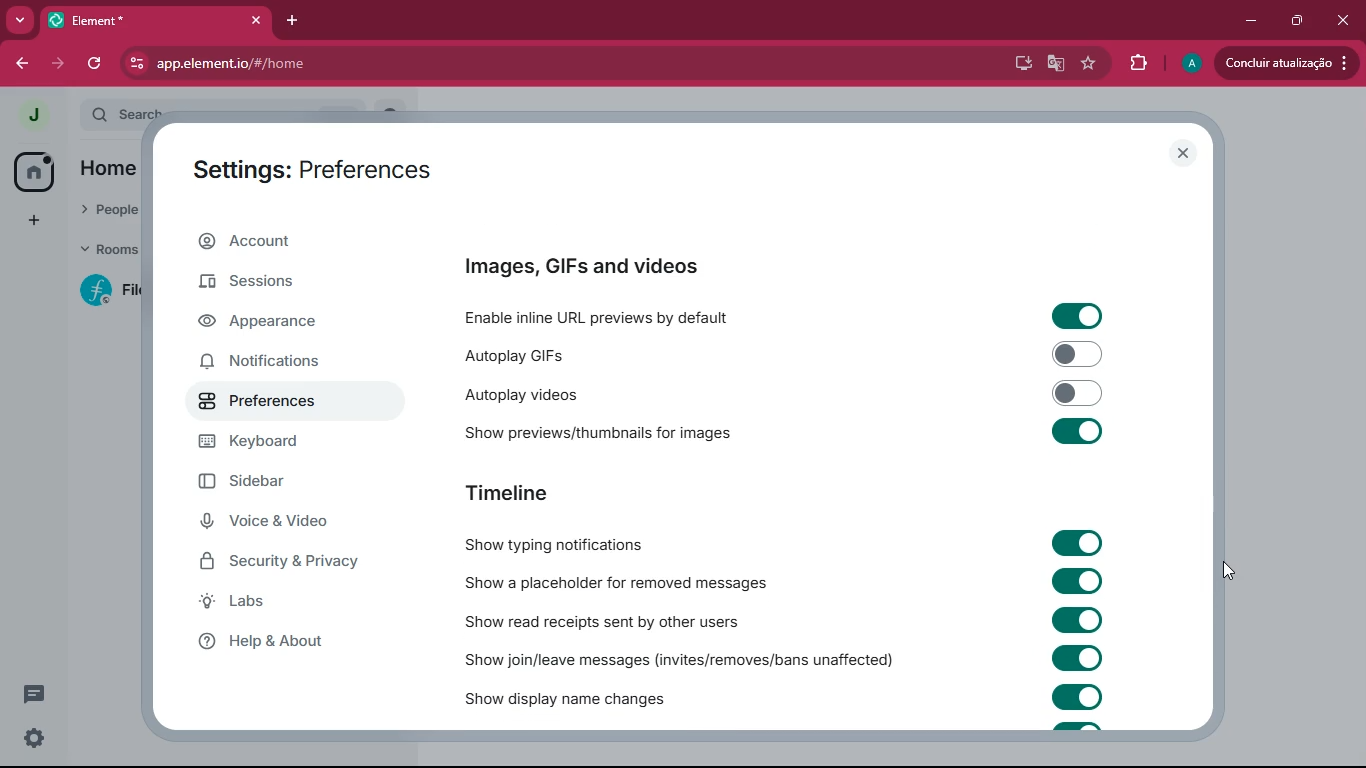  What do you see at coordinates (34, 694) in the screenshot?
I see `threads` at bounding box center [34, 694].